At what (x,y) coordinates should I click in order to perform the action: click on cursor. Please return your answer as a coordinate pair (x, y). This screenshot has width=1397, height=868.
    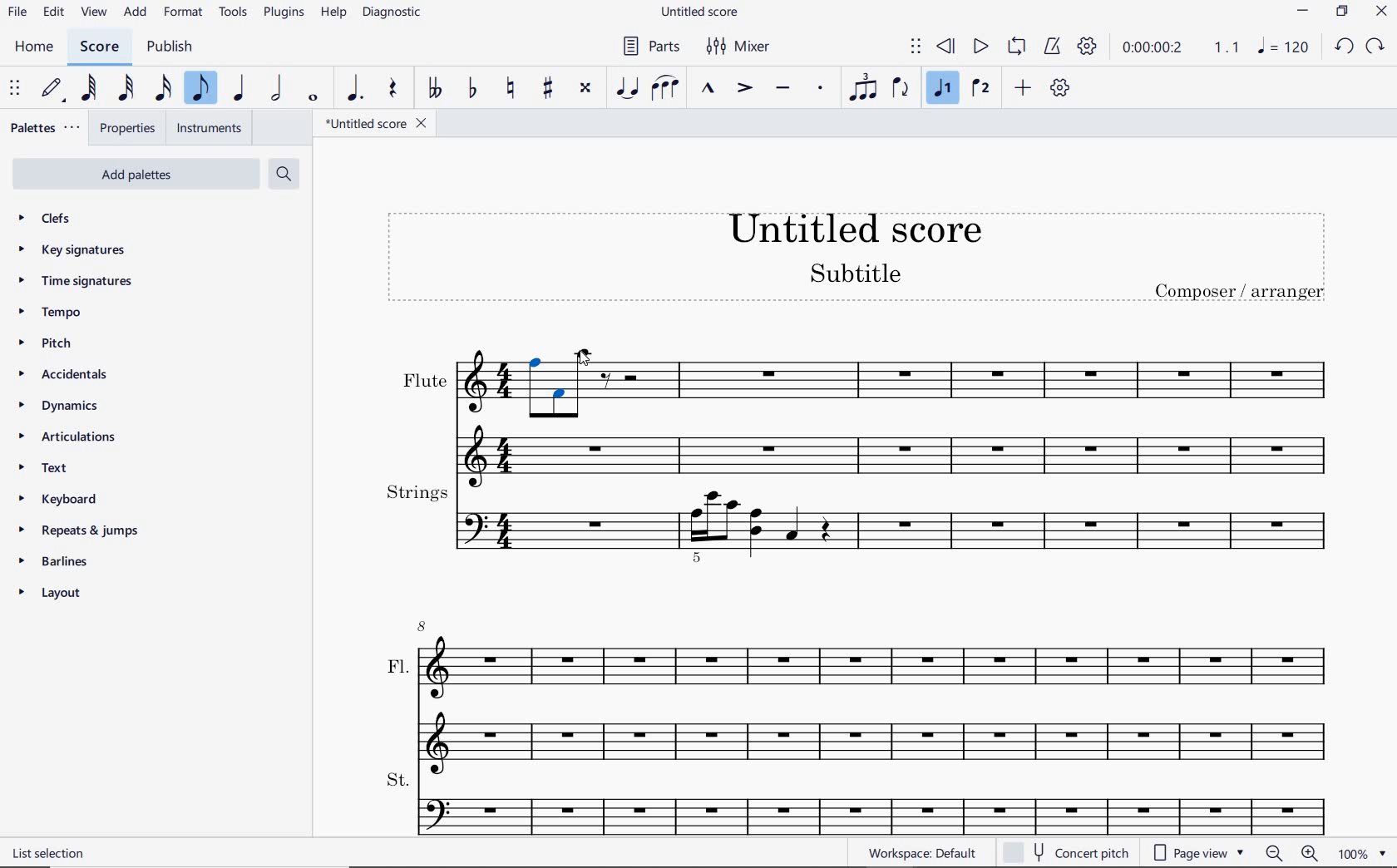
    Looking at the image, I should click on (582, 358).